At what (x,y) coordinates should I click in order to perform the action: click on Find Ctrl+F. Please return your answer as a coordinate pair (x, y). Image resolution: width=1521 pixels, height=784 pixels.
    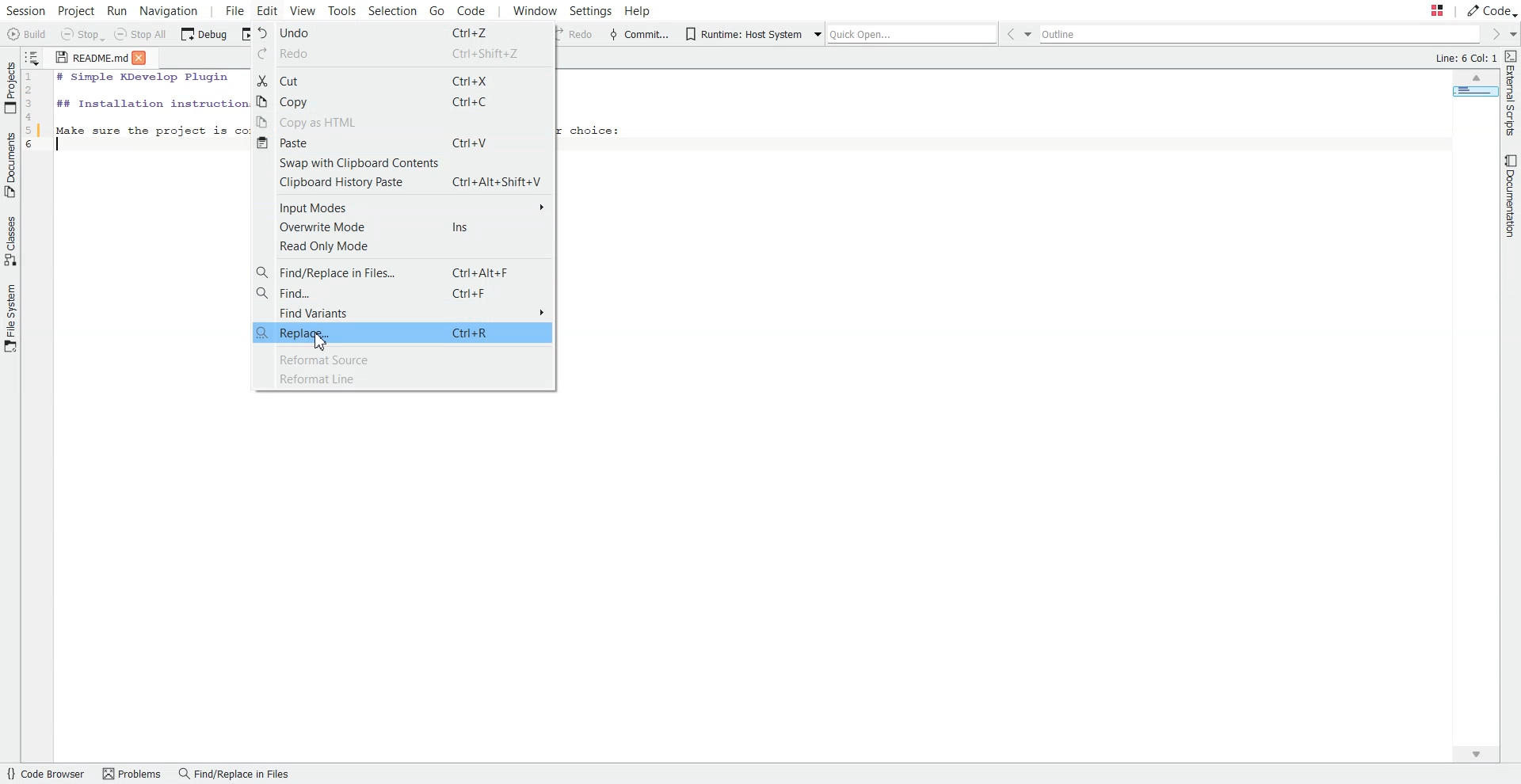
    Looking at the image, I should click on (403, 293).